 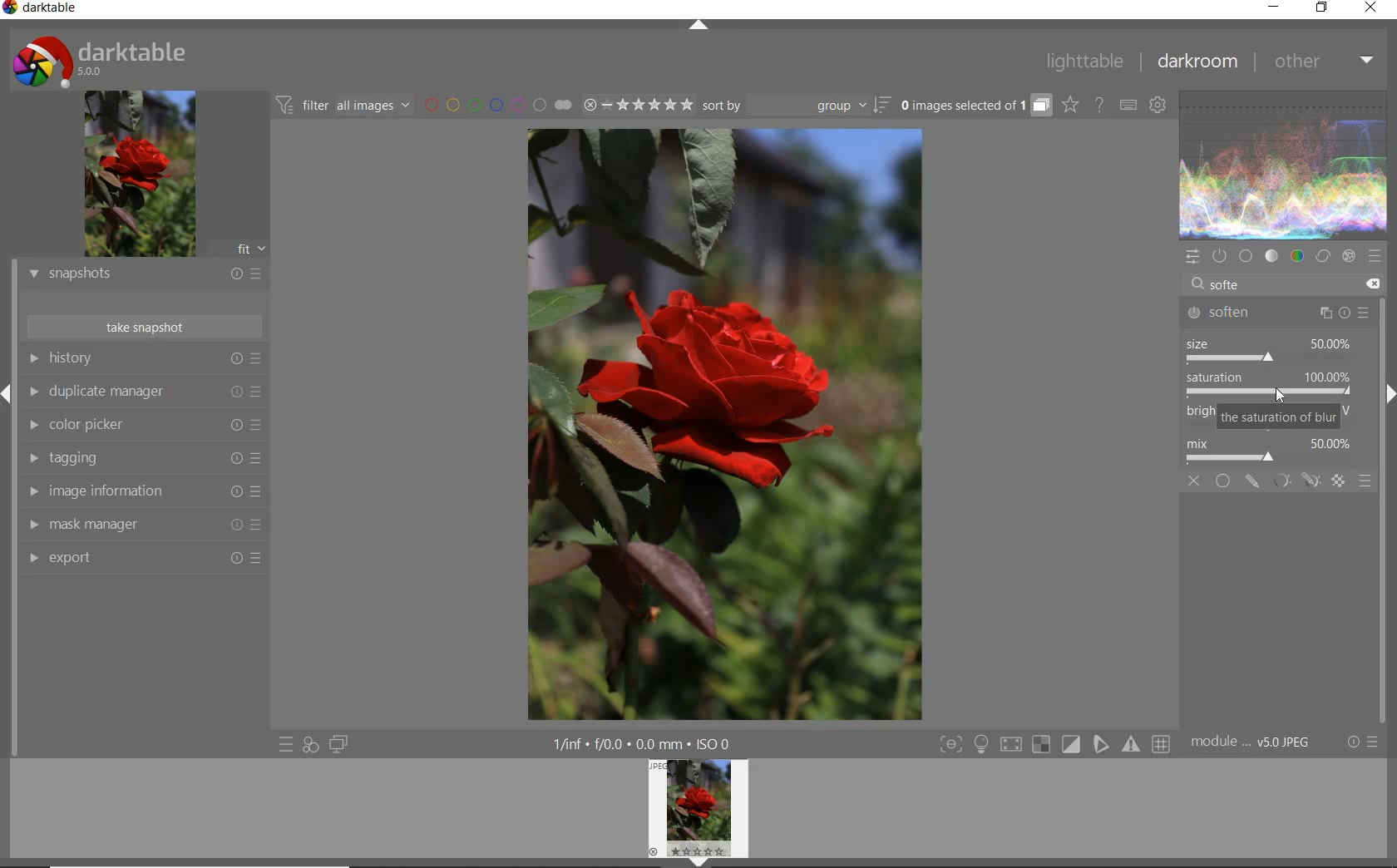 What do you see at coordinates (144, 560) in the screenshot?
I see `export` at bounding box center [144, 560].